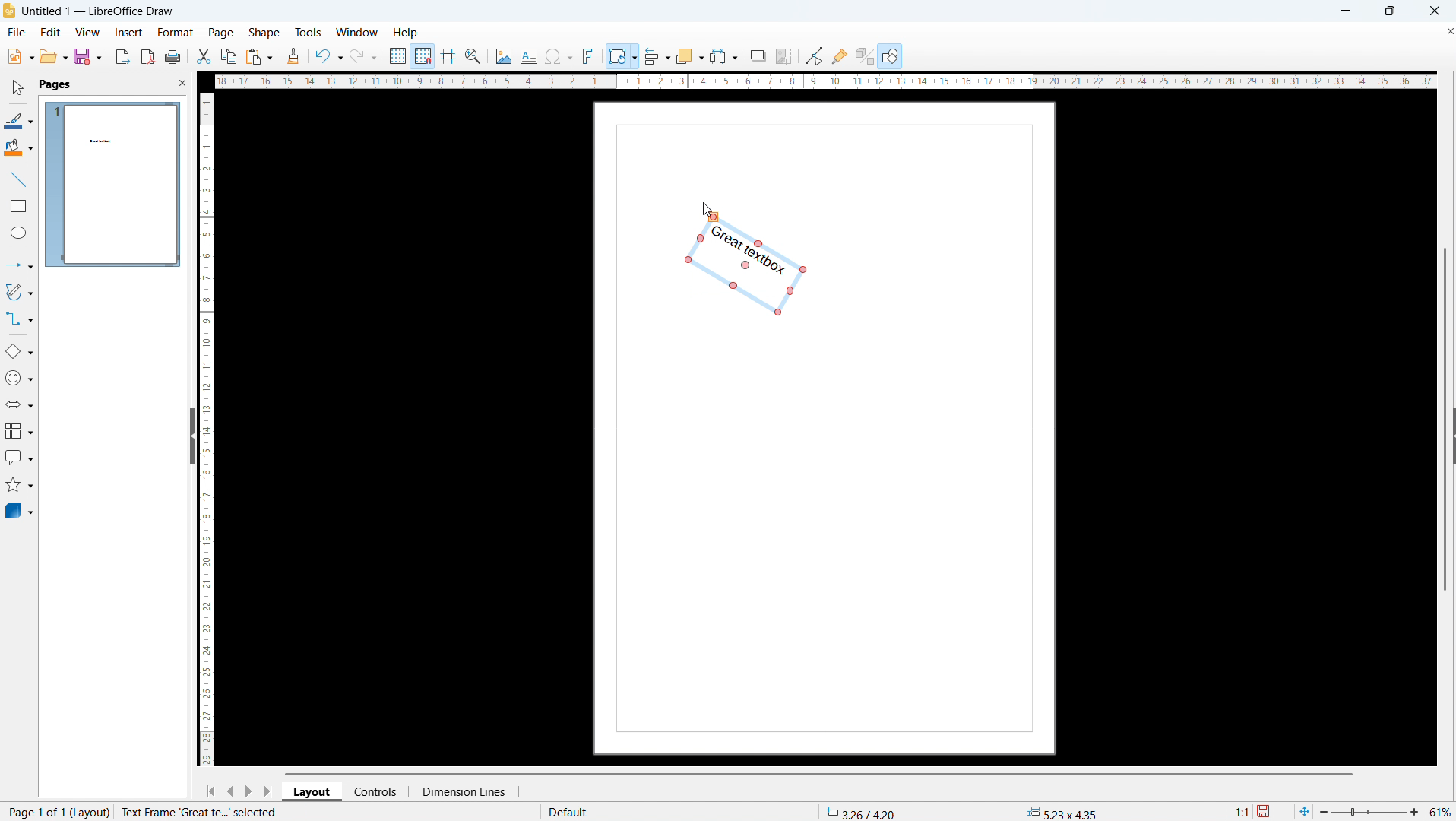  Describe the element at coordinates (210, 791) in the screenshot. I see `go to first page` at that location.